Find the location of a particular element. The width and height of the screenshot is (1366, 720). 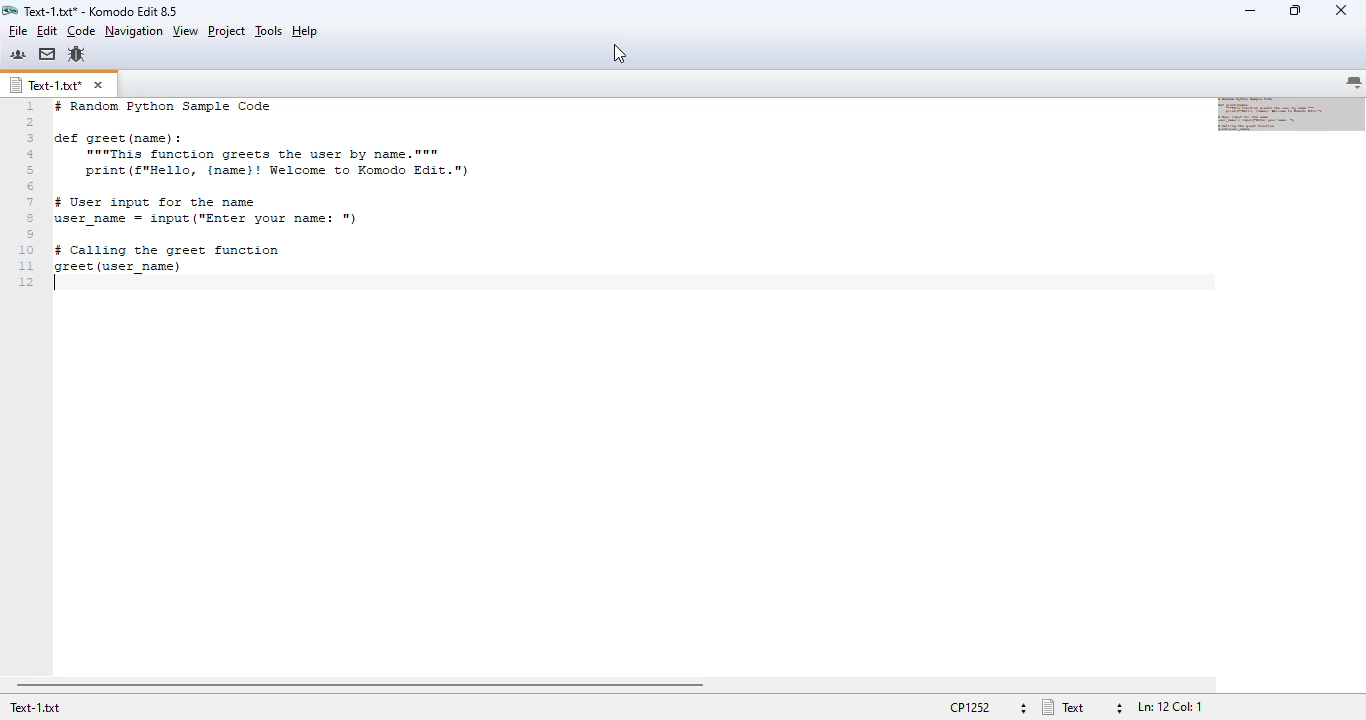

close is located at coordinates (1341, 10).